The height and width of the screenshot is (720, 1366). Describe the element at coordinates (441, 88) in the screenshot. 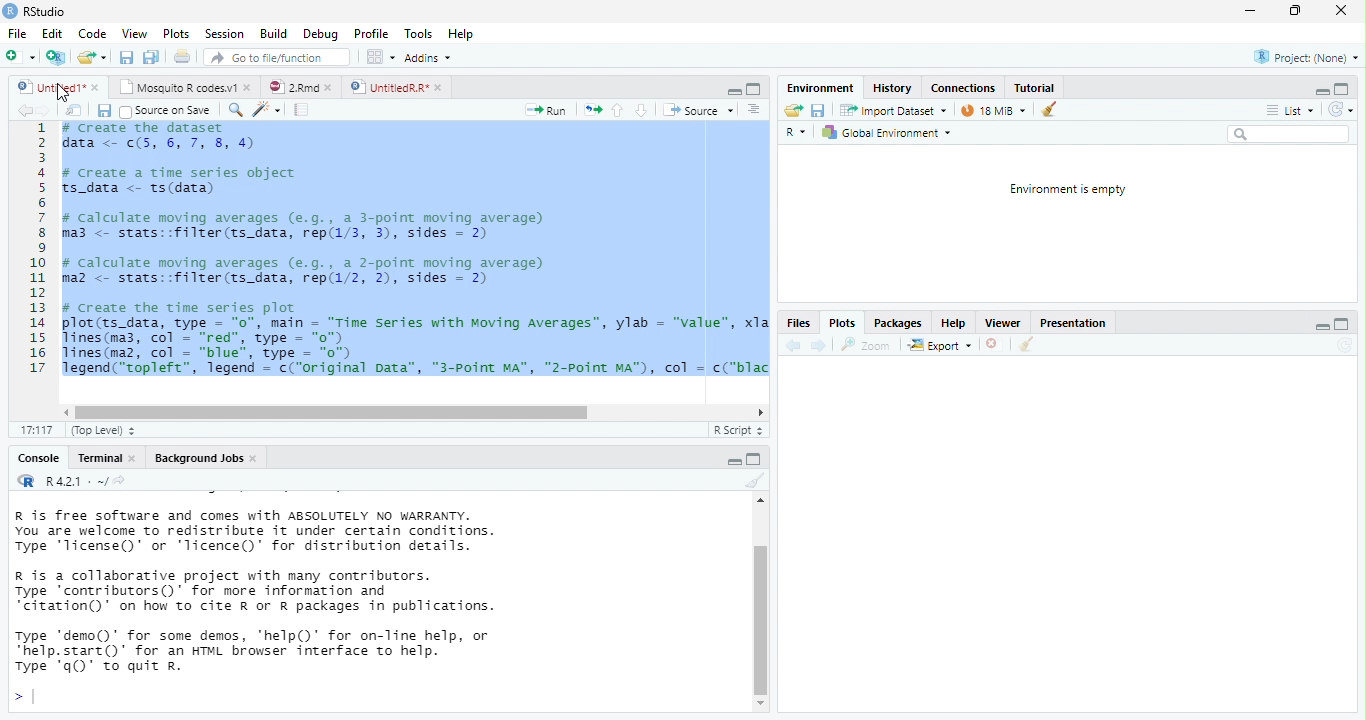

I see `close` at that location.